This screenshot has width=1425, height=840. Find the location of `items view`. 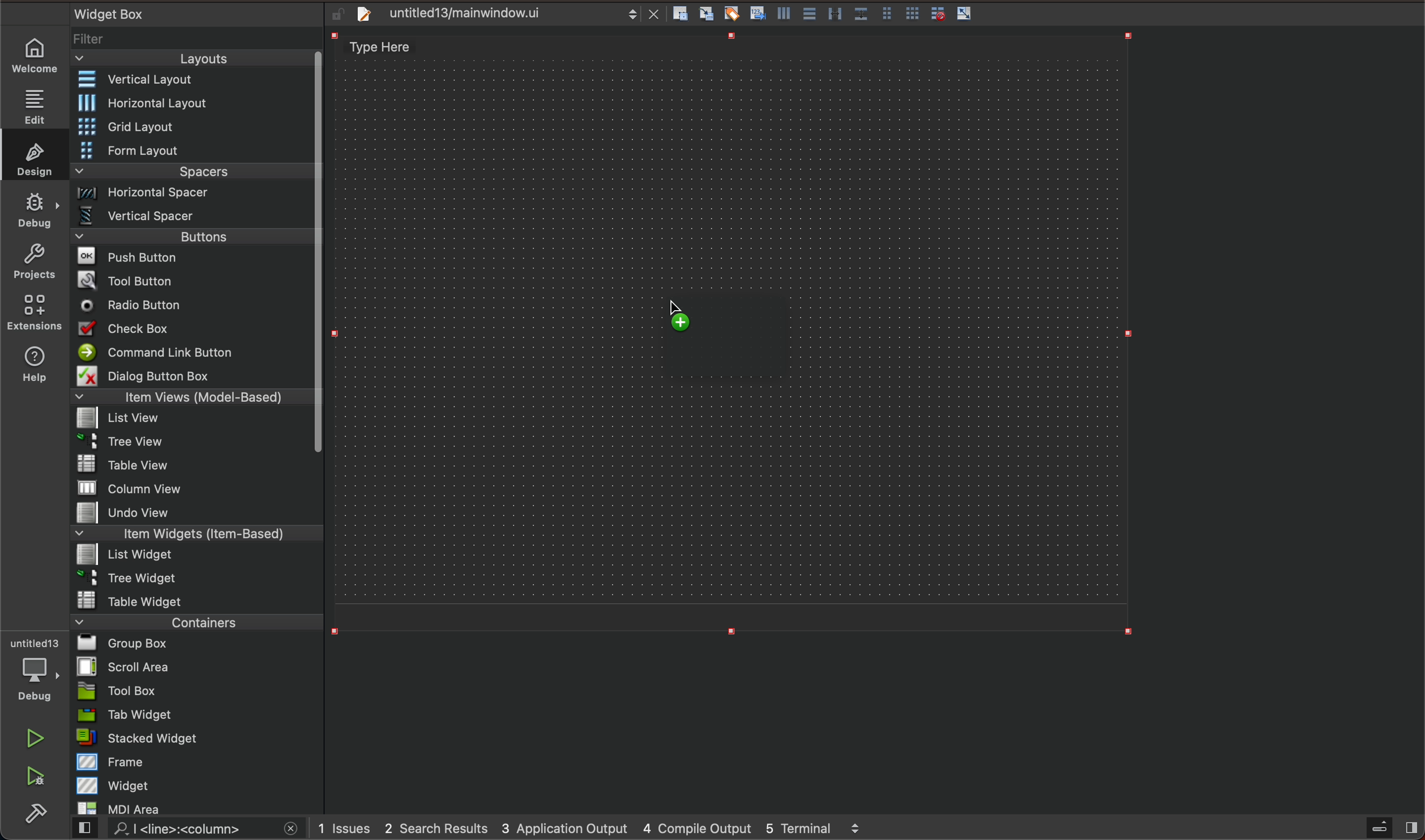

items view is located at coordinates (193, 397).